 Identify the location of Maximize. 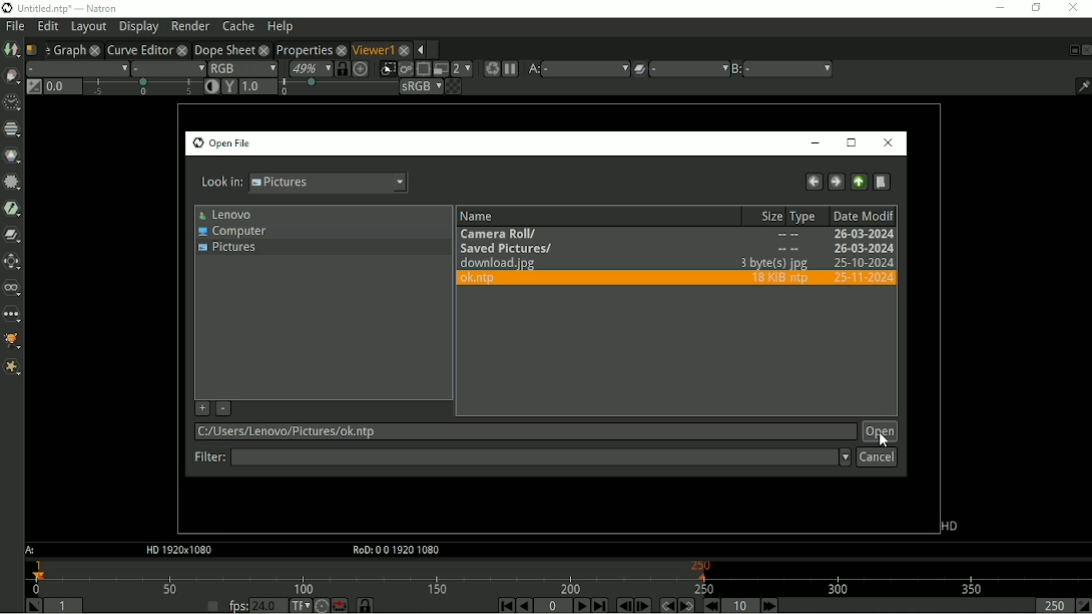
(852, 143).